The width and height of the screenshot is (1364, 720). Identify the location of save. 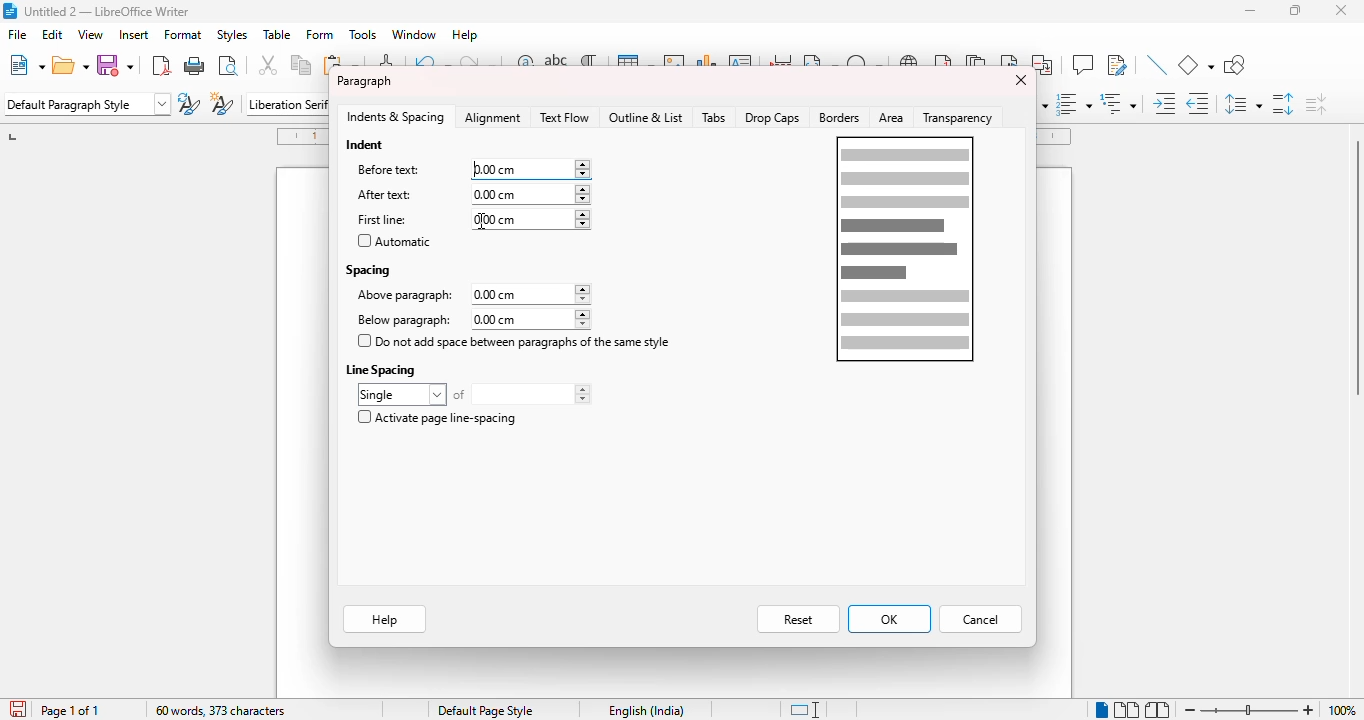
(118, 65).